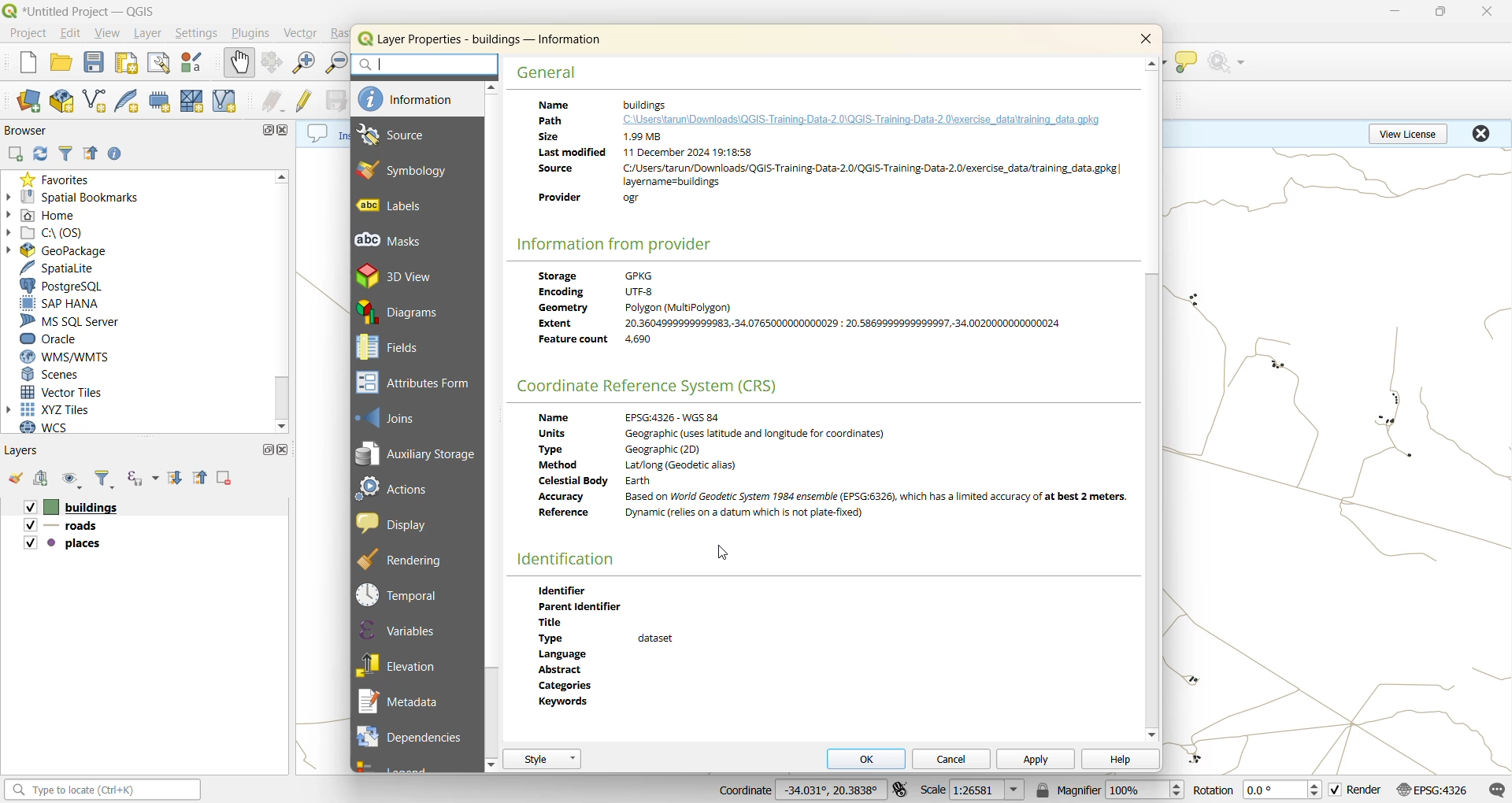  I want to click on view, so click(109, 32).